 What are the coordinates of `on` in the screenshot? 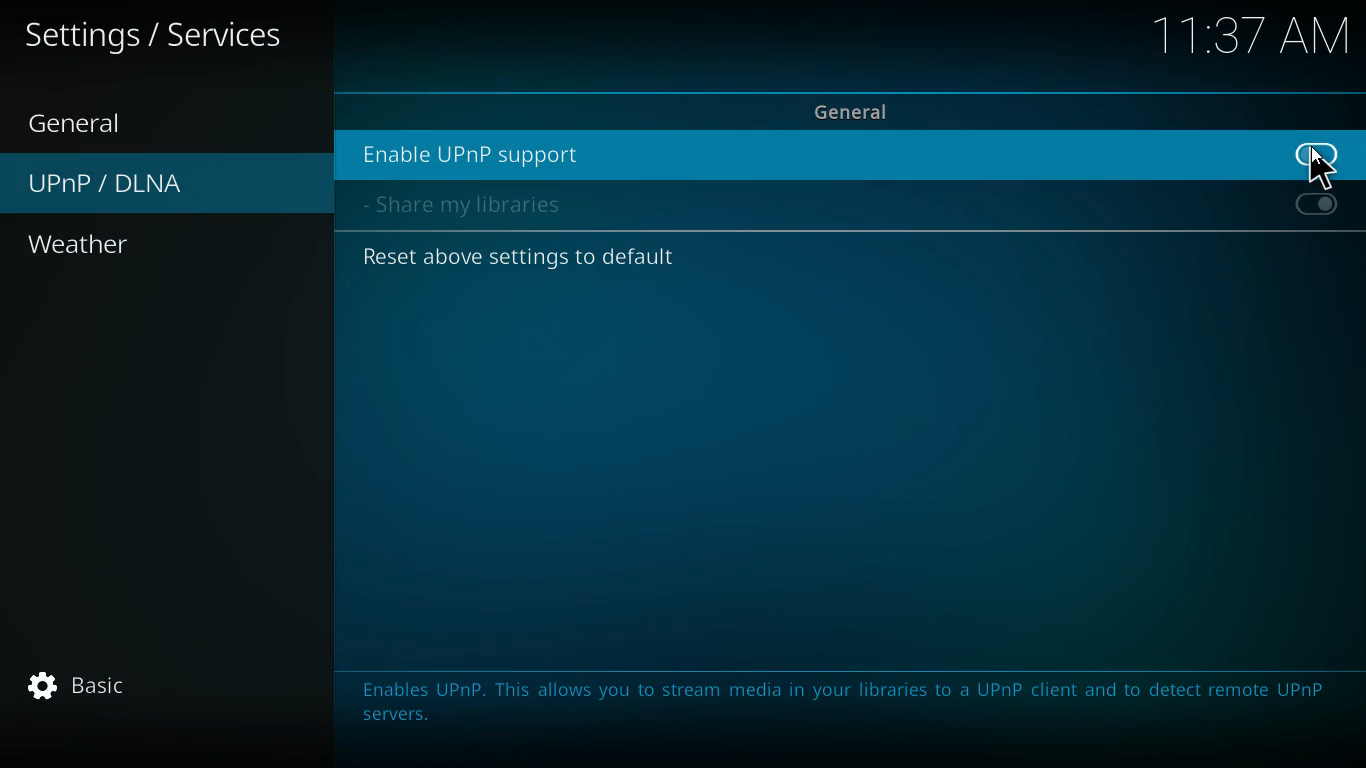 It's located at (1313, 207).